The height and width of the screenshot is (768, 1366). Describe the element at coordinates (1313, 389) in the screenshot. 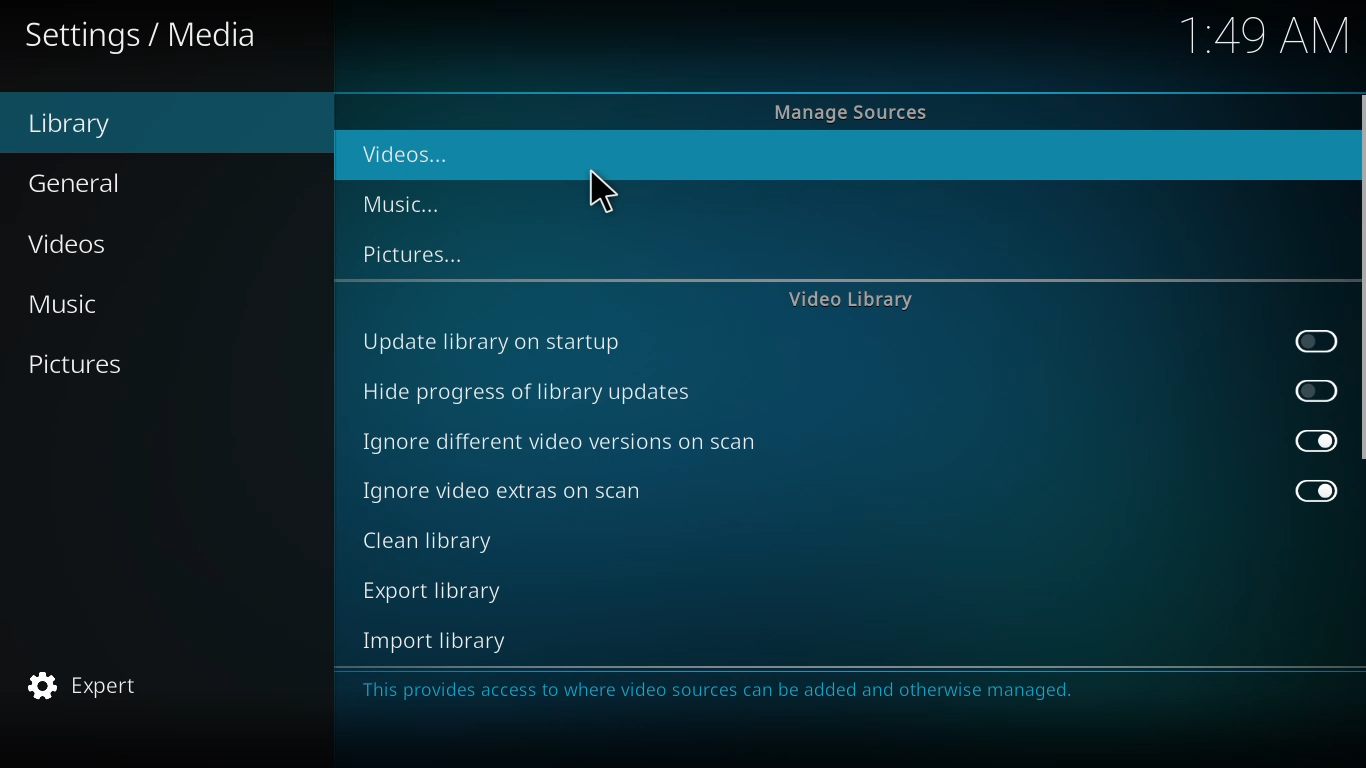

I see `enable` at that location.